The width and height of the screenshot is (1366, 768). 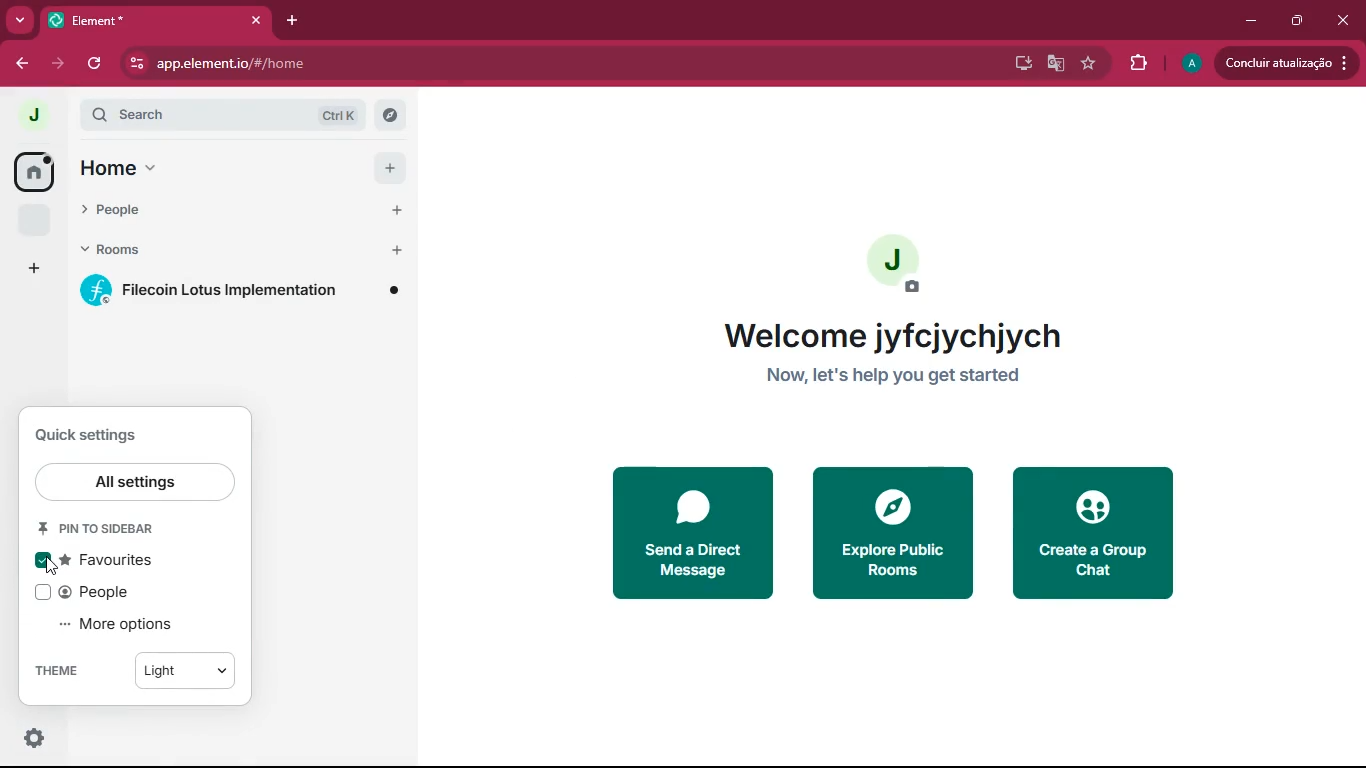 I want to click on app.element.io/#/home, so click(x=218, y=63).